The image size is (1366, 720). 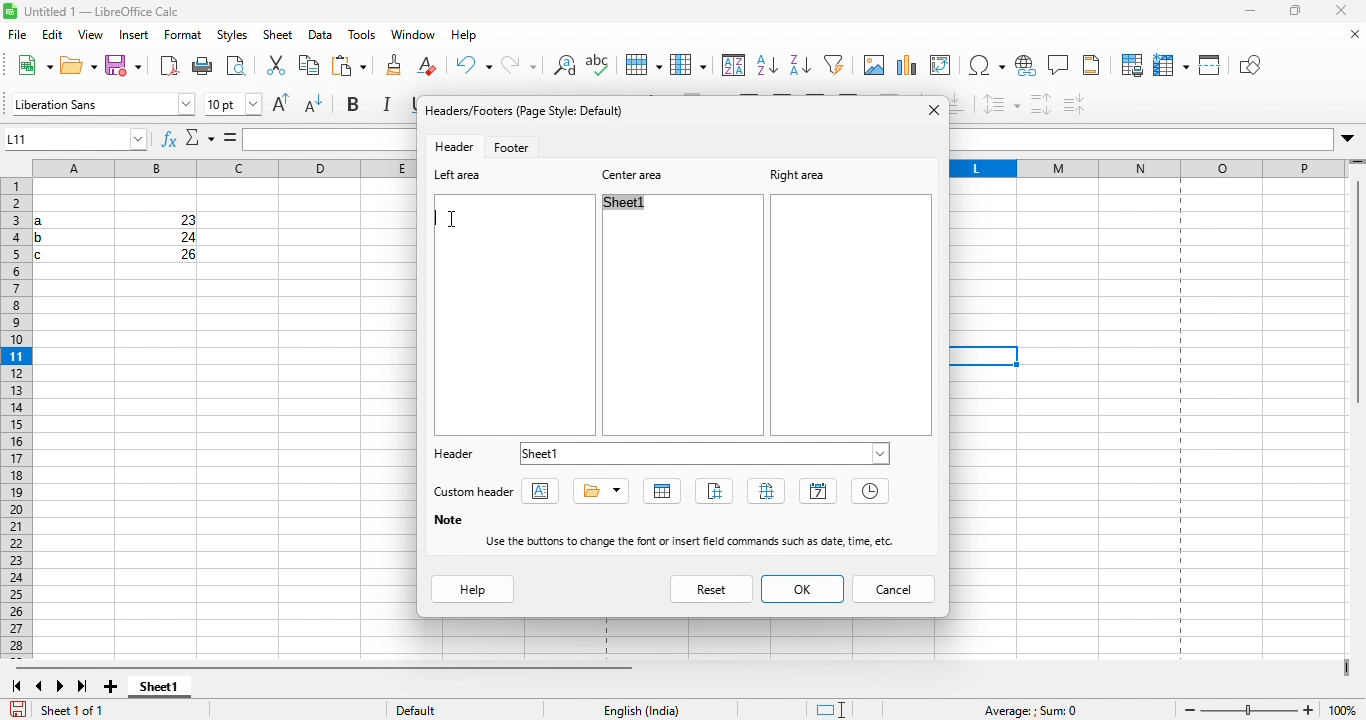 I want to click on cut, so click(x=240, y=68).